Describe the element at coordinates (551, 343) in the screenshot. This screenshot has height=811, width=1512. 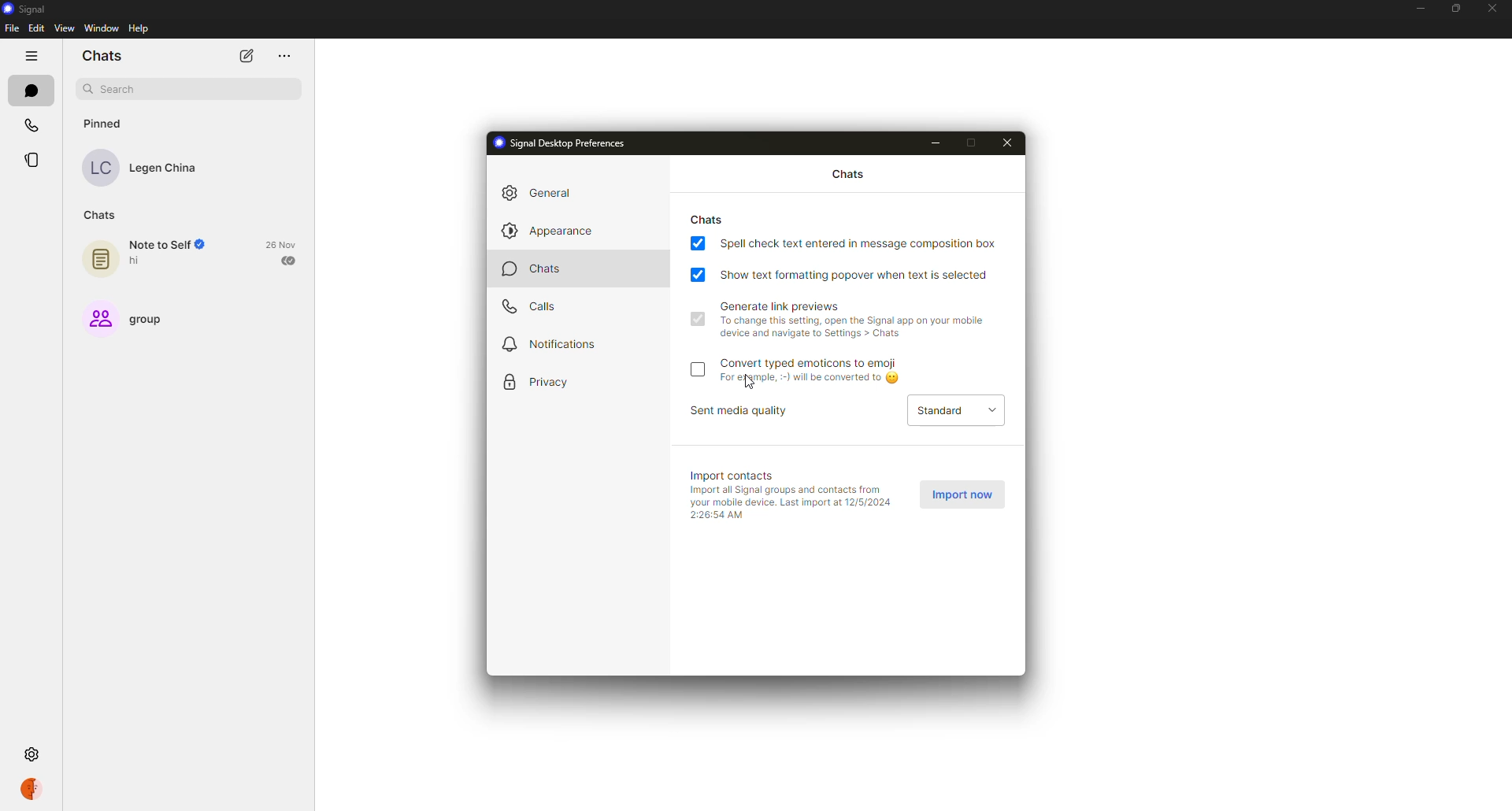
I see `notifications` at that location.